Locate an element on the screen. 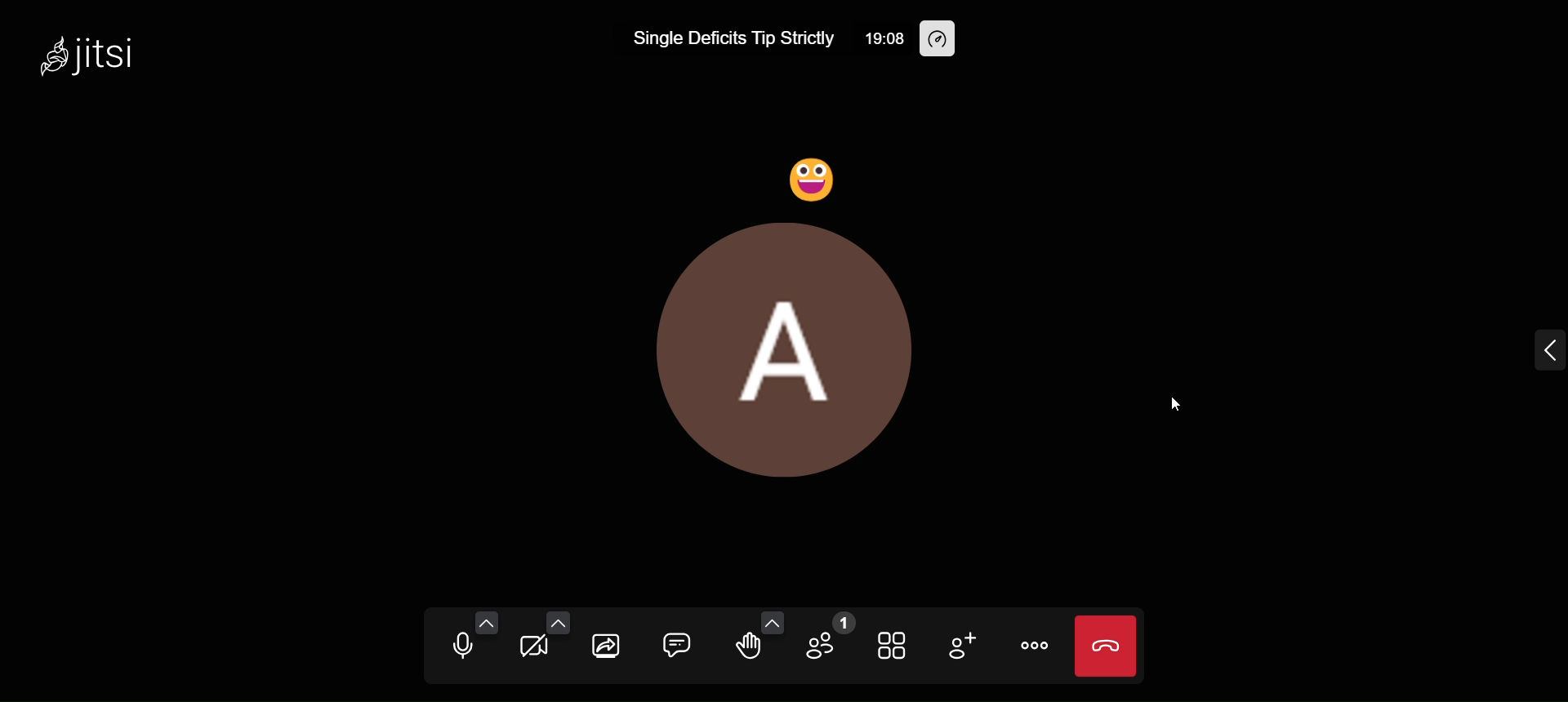 Image resolution: width=1568 pixels, height=702 pixels. 19:08 is located at coordinates (886, 38).